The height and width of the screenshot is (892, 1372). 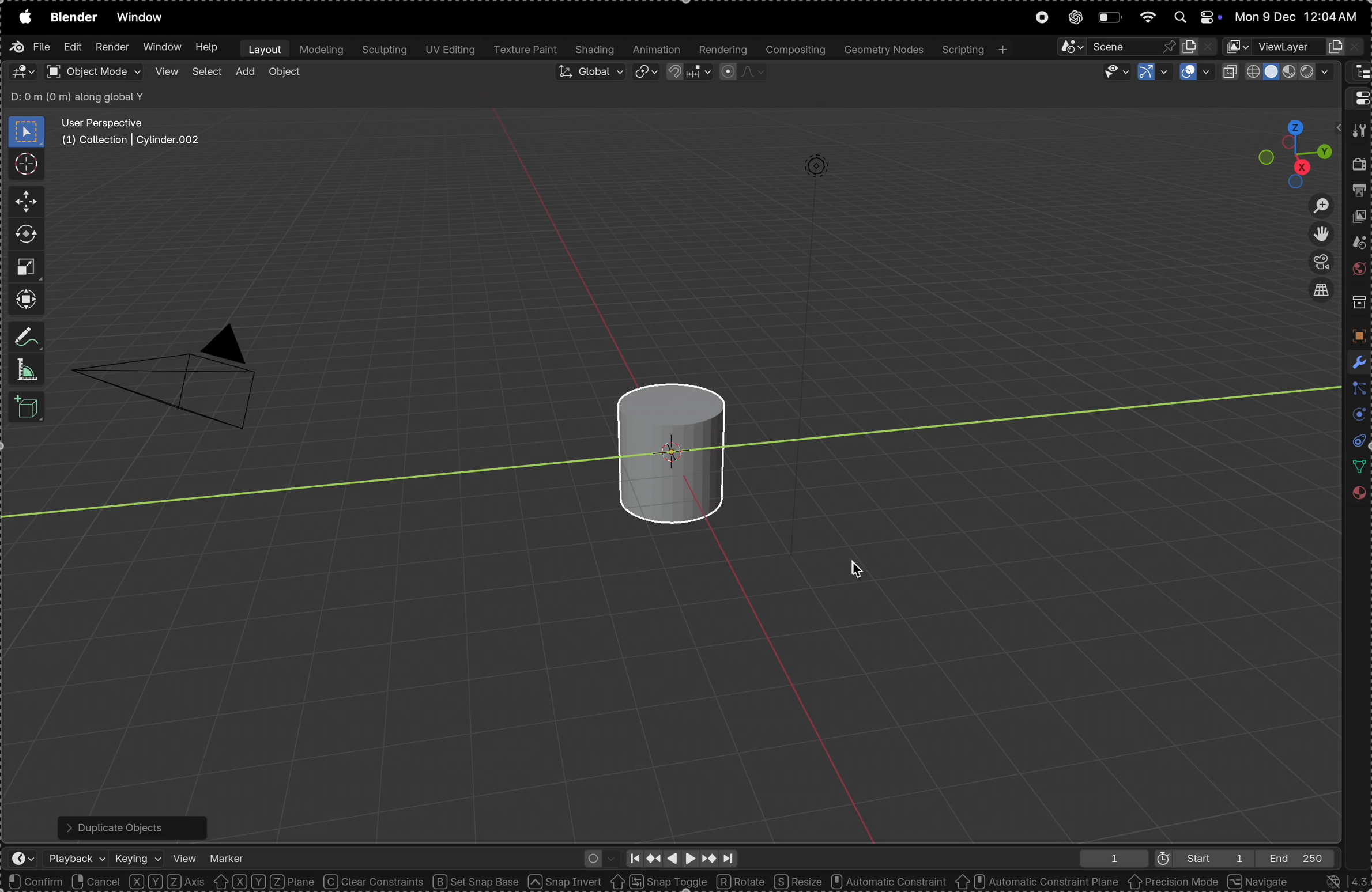 What do you see at coordinates (1355, 416) in the screenshot?
I see `layers` at bounding box center [1355, 416].